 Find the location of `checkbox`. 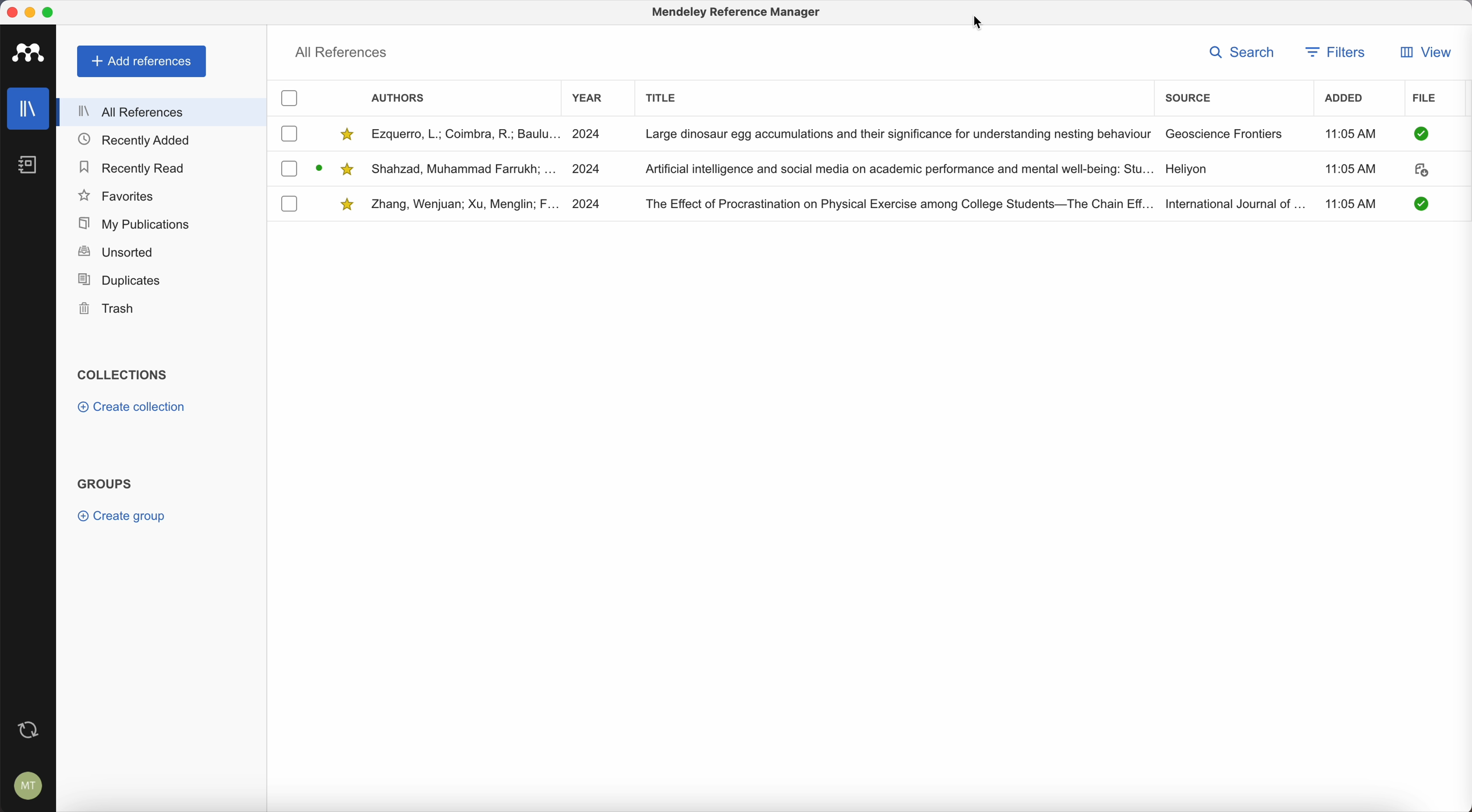

checkbox is located at coordinates (290, 169).